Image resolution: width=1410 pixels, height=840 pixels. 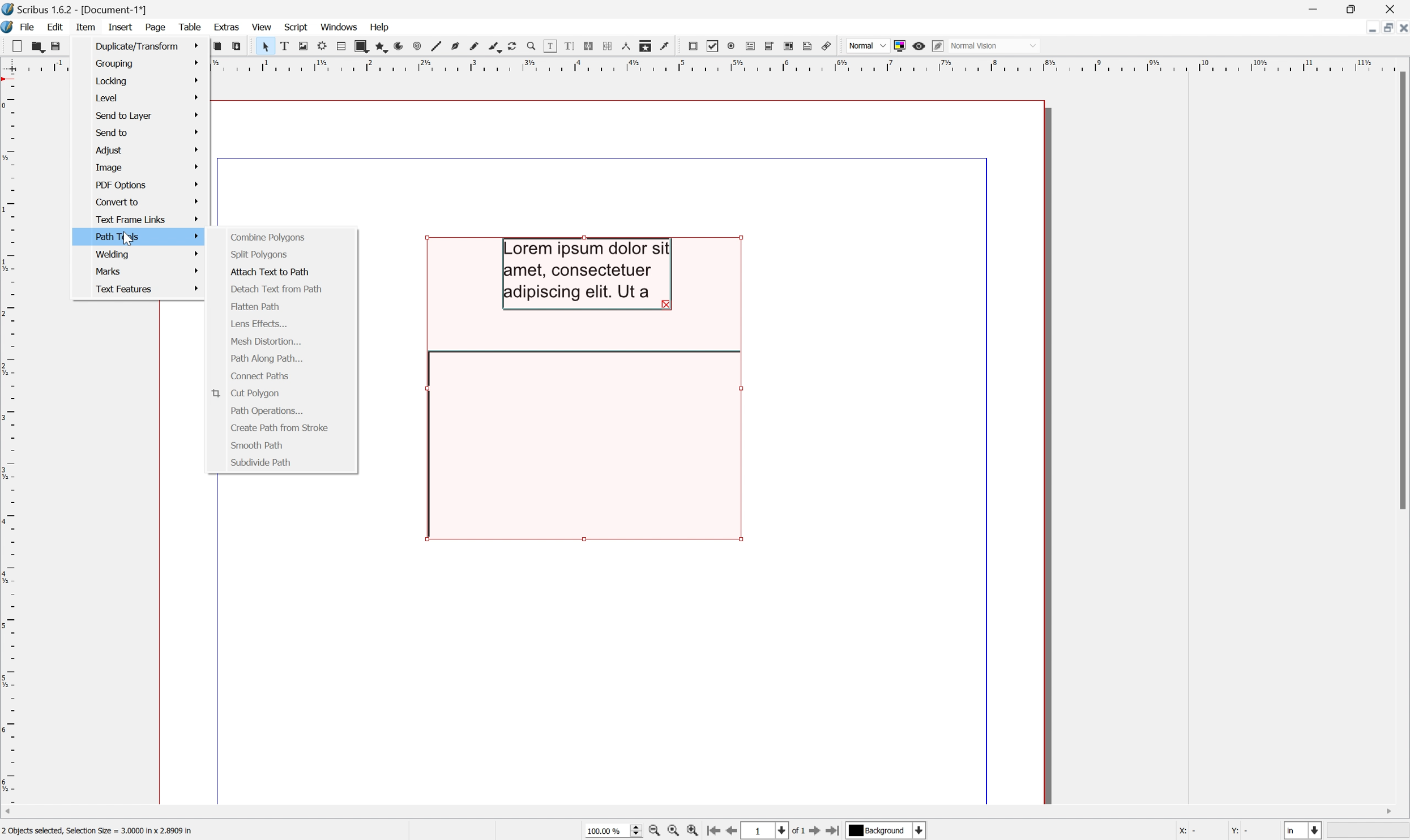 What do you see at coordinates (997, 46) in the screenshot?
I see `Normal mode` at bounding box center [997, 46].